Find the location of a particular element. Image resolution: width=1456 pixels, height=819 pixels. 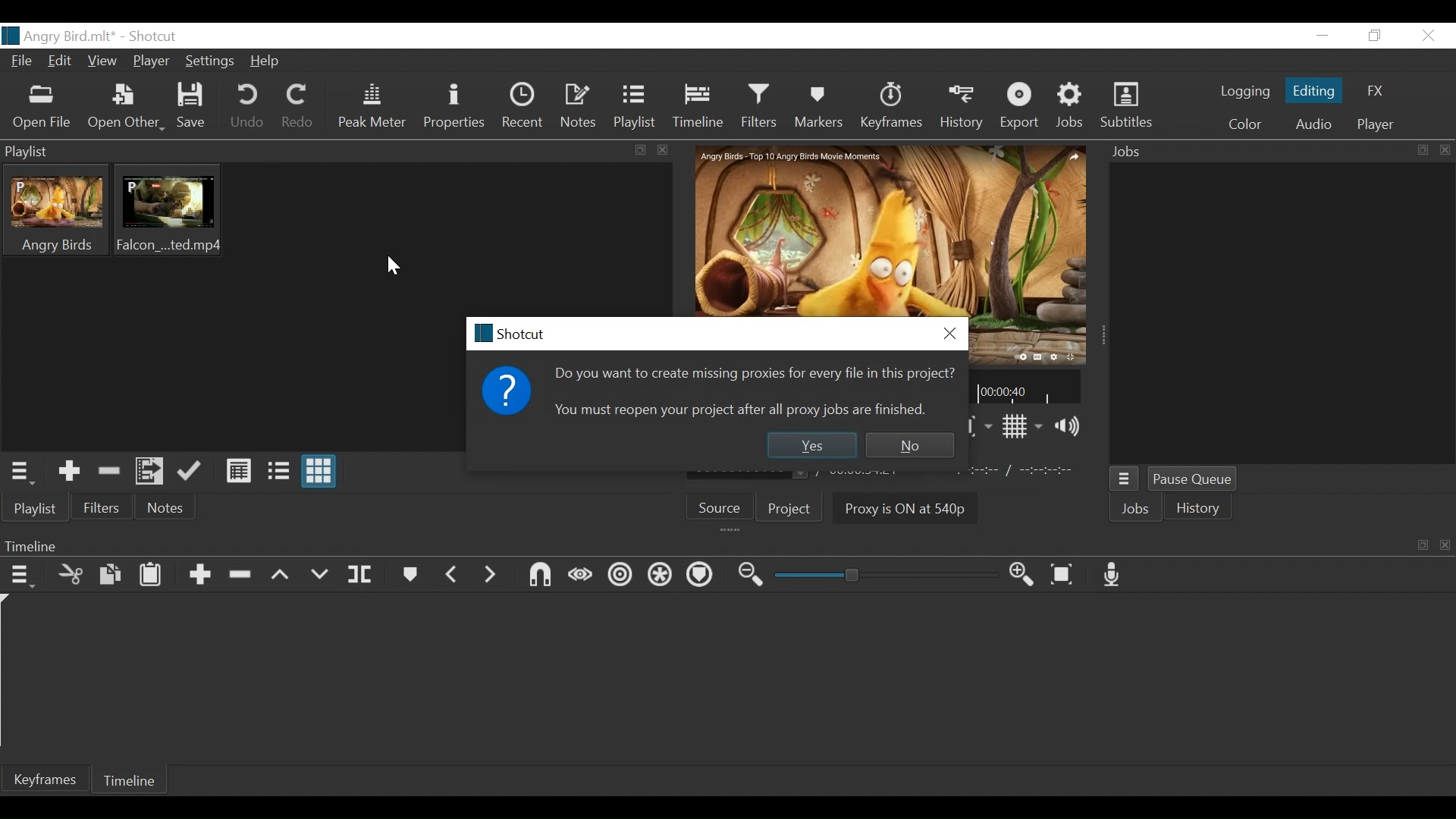

Zoom timeline to fit is located at coordinates (1063, 574).